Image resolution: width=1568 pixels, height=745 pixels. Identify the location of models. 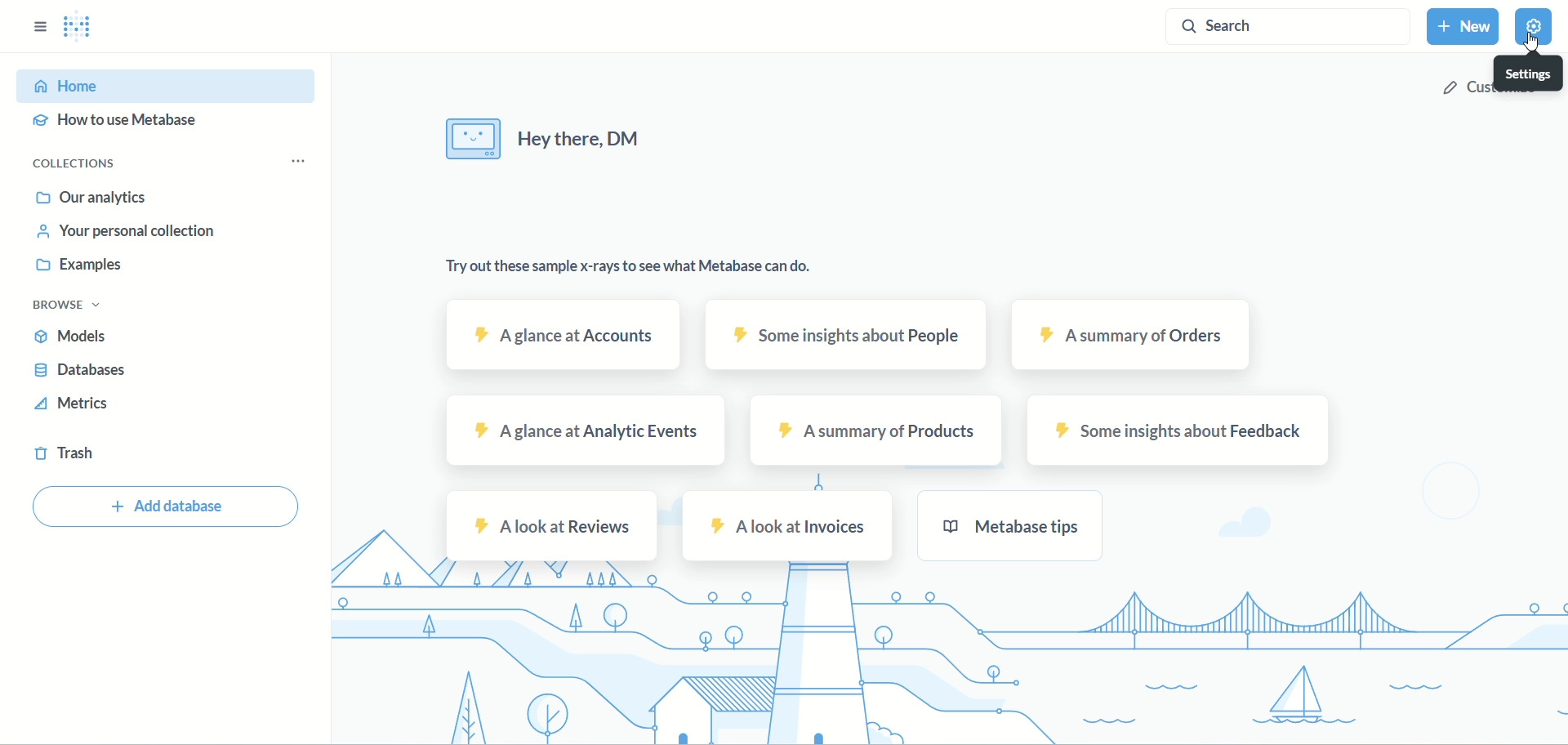
(73, 337).